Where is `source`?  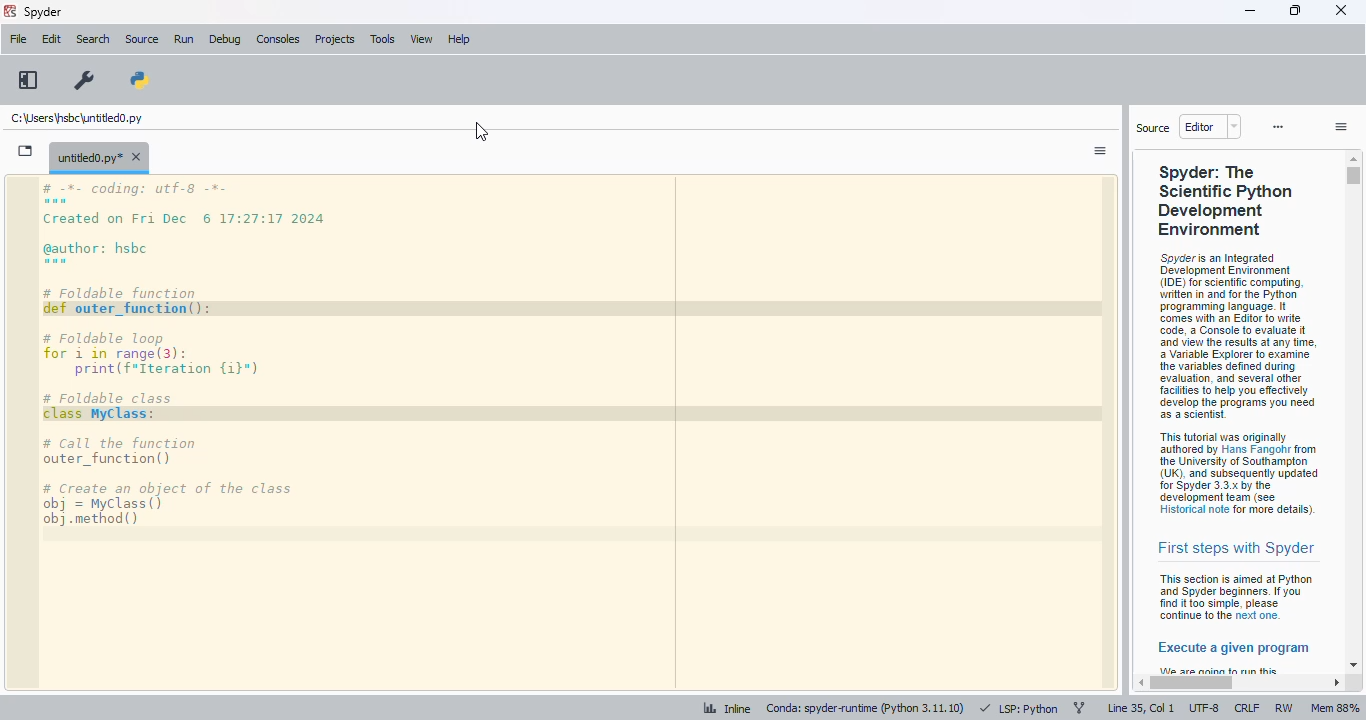 source is located at coordinates (142, 40).